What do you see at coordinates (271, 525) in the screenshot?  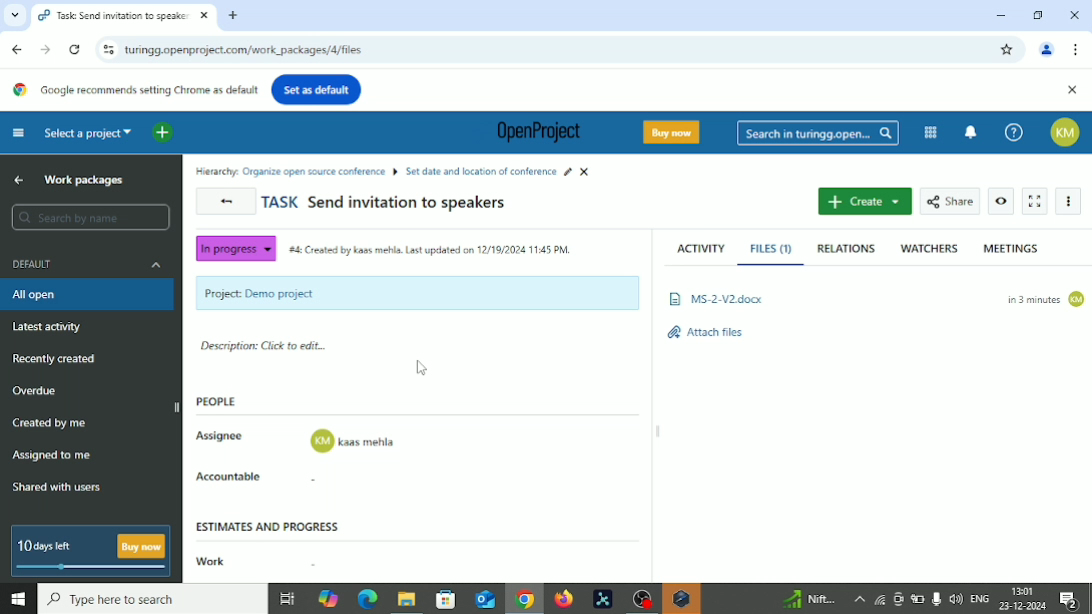 I see `Estimates and progress` at bounding box center [271, 525].